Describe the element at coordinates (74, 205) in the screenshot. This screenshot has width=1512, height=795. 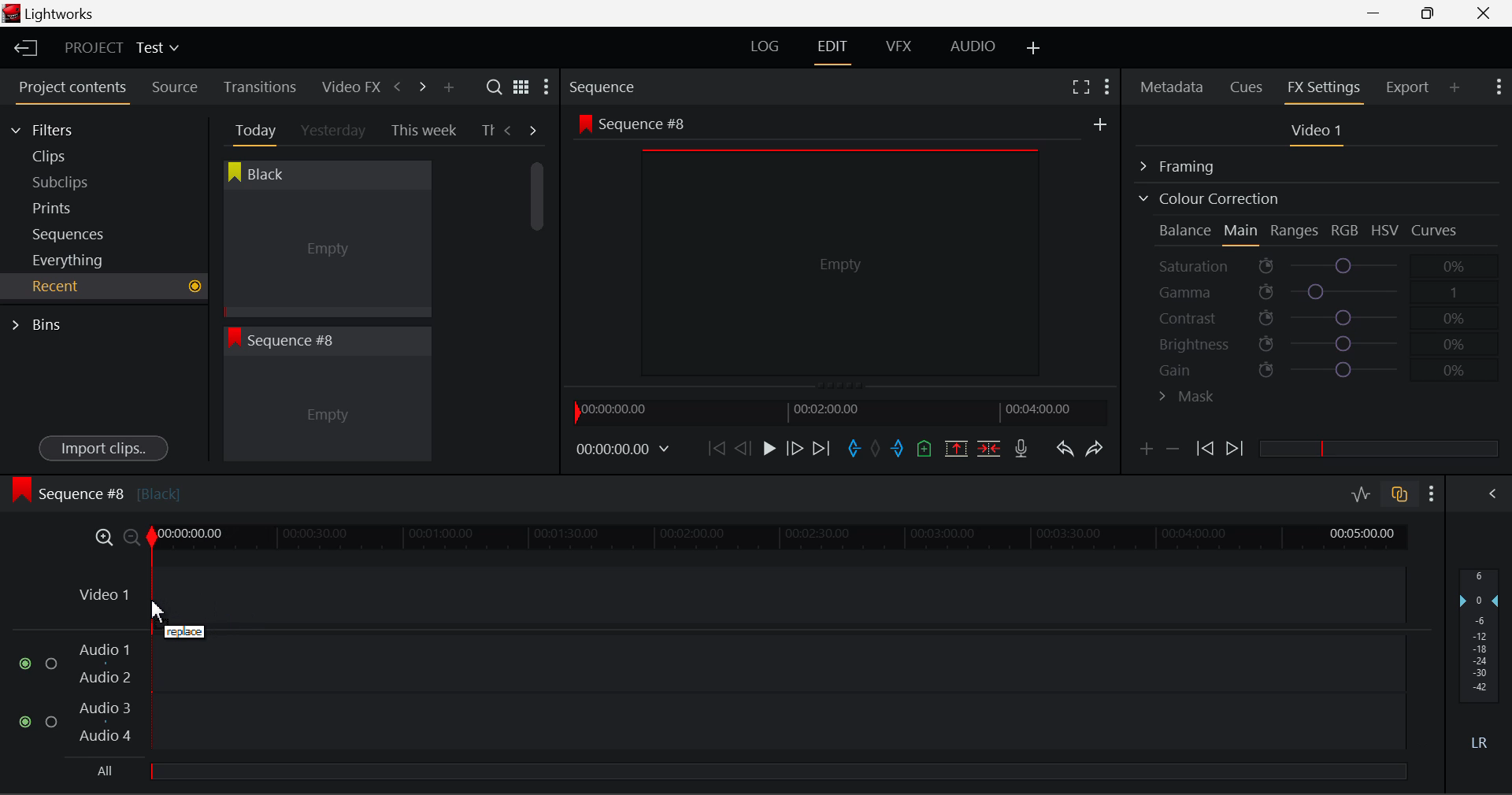
I see `Prints` at that location.